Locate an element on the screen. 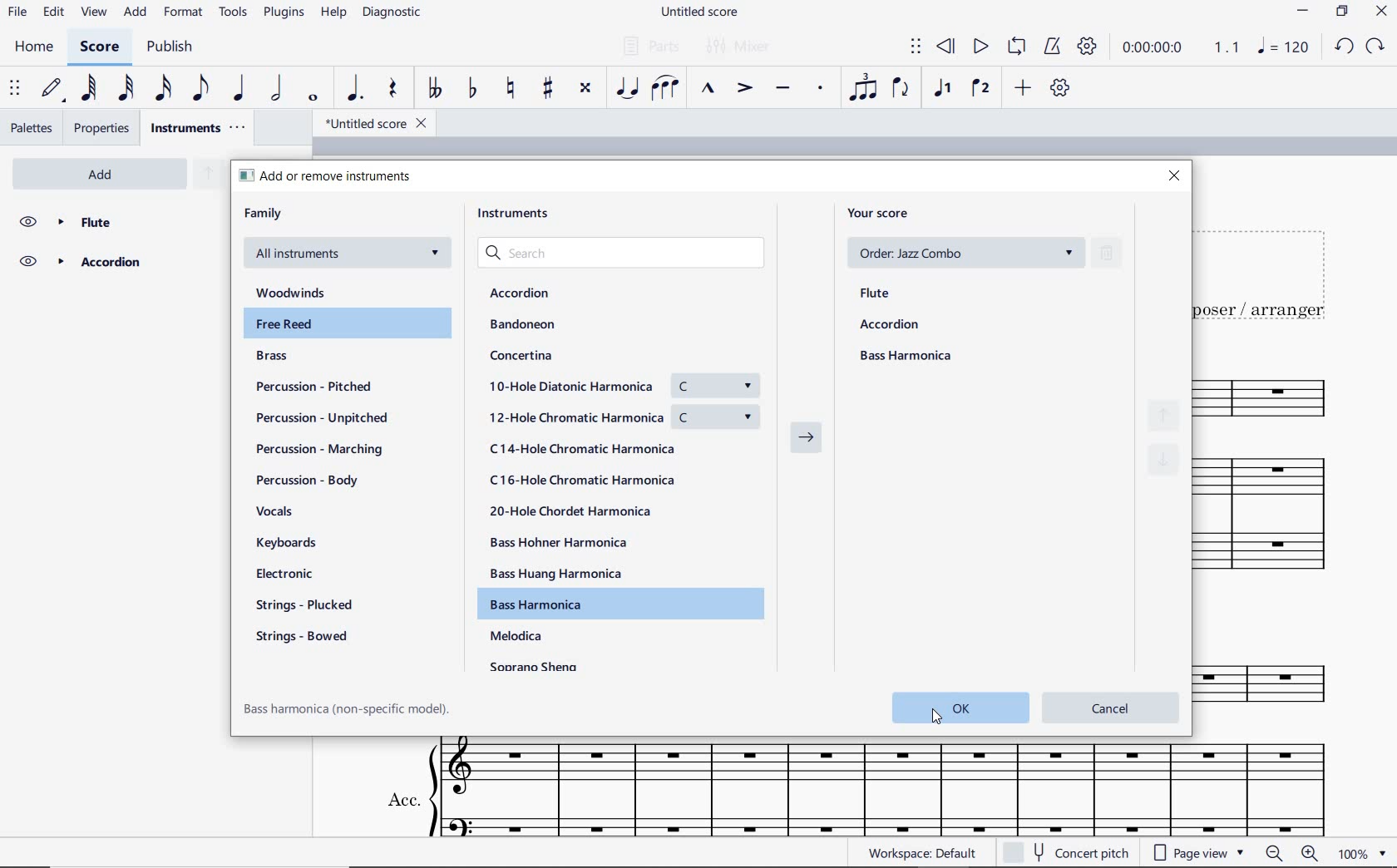 This screenshot has height=868, width=1397. play is located at coordinates (980, 49).